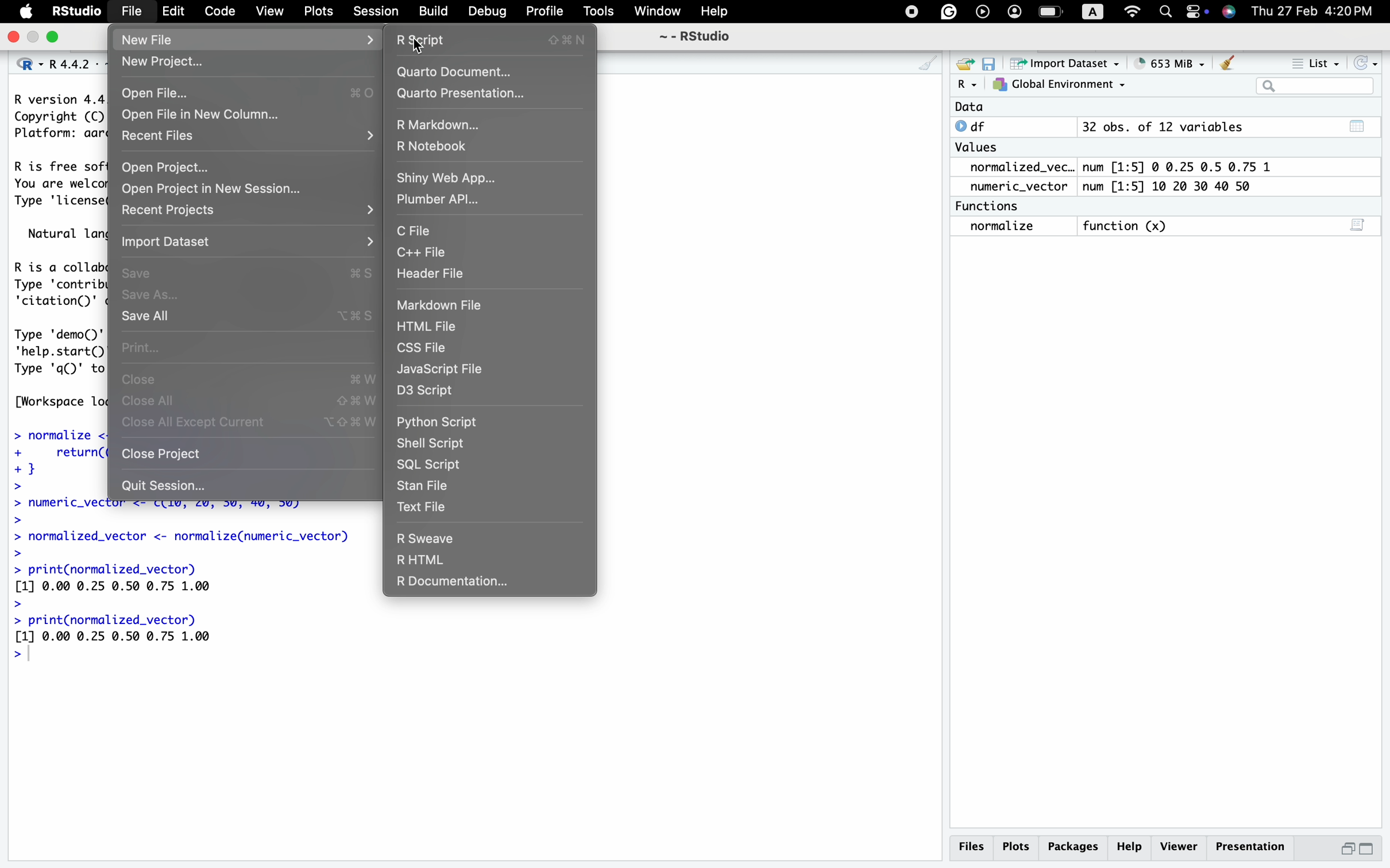 The width and height of the screenshot is (1390, 868). Describe the element at coordinates (173, 211) in the screenshot. I see `Recent Projects` at that location.